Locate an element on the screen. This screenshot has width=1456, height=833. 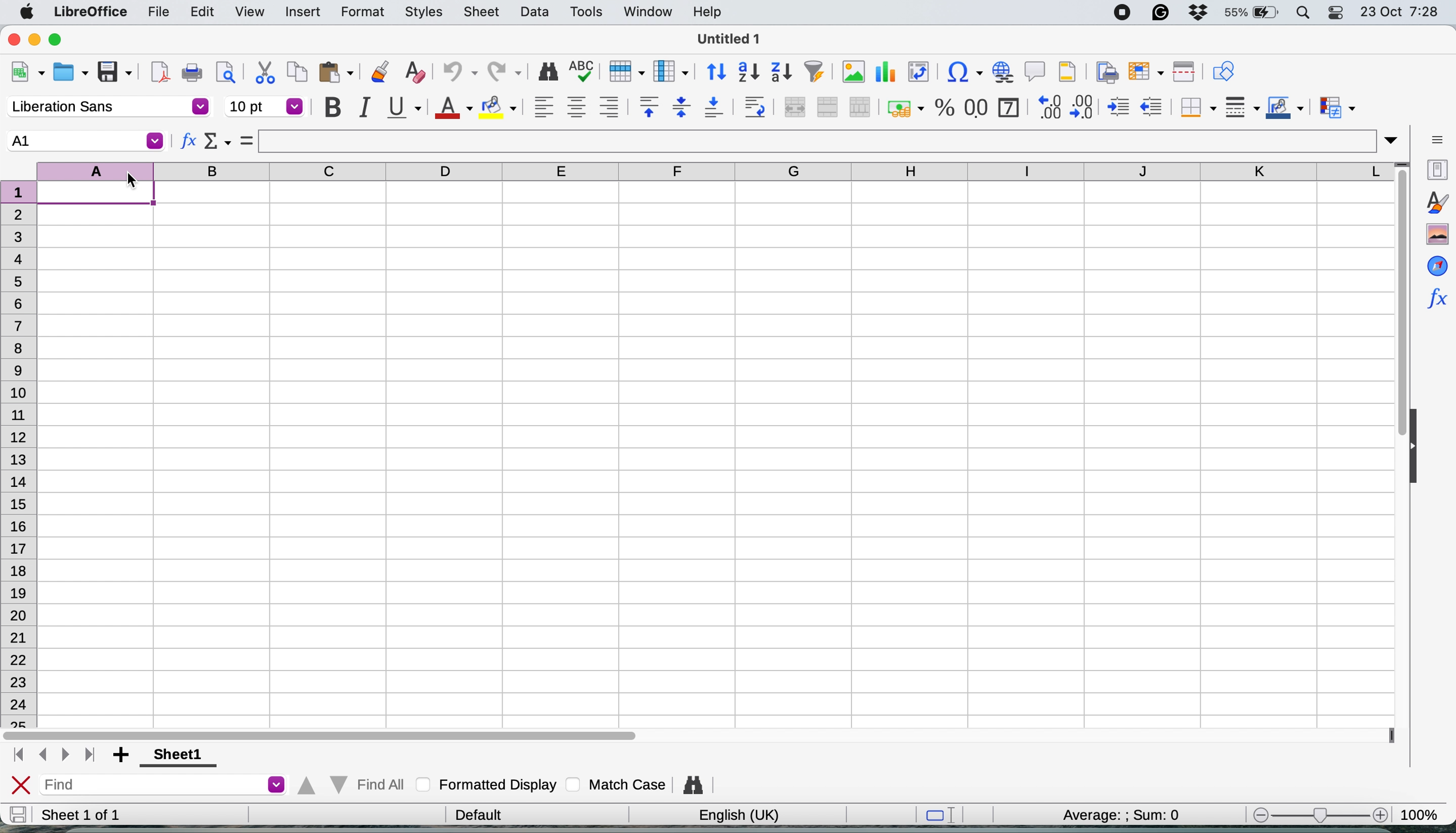
row is located at coordinates (627, 72).